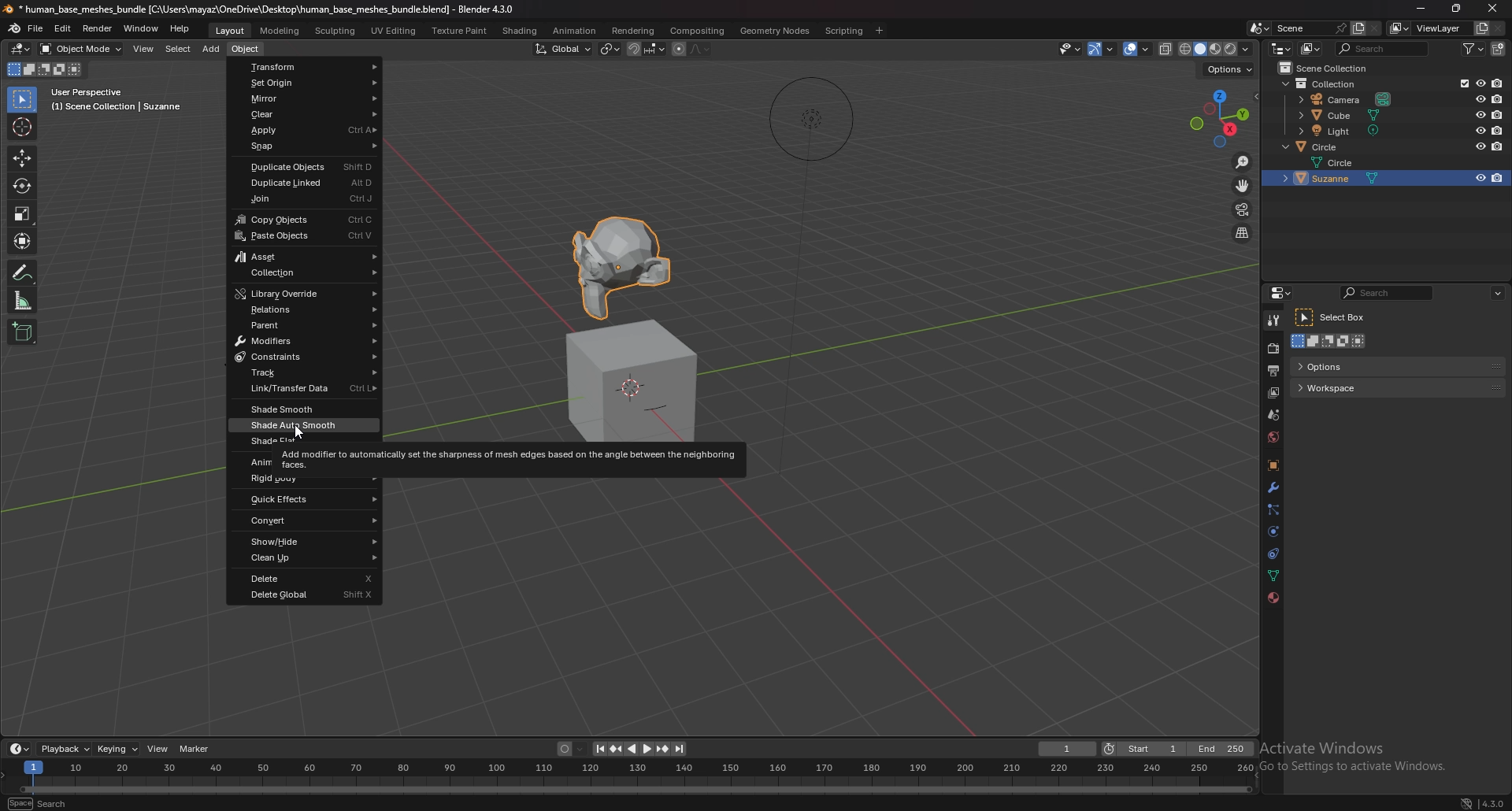 This screenshot has height=811, width=1512. What do you see at coordinates (1354, 365) in the screenshot?
I see `options` at bounding box center [1354, 365].